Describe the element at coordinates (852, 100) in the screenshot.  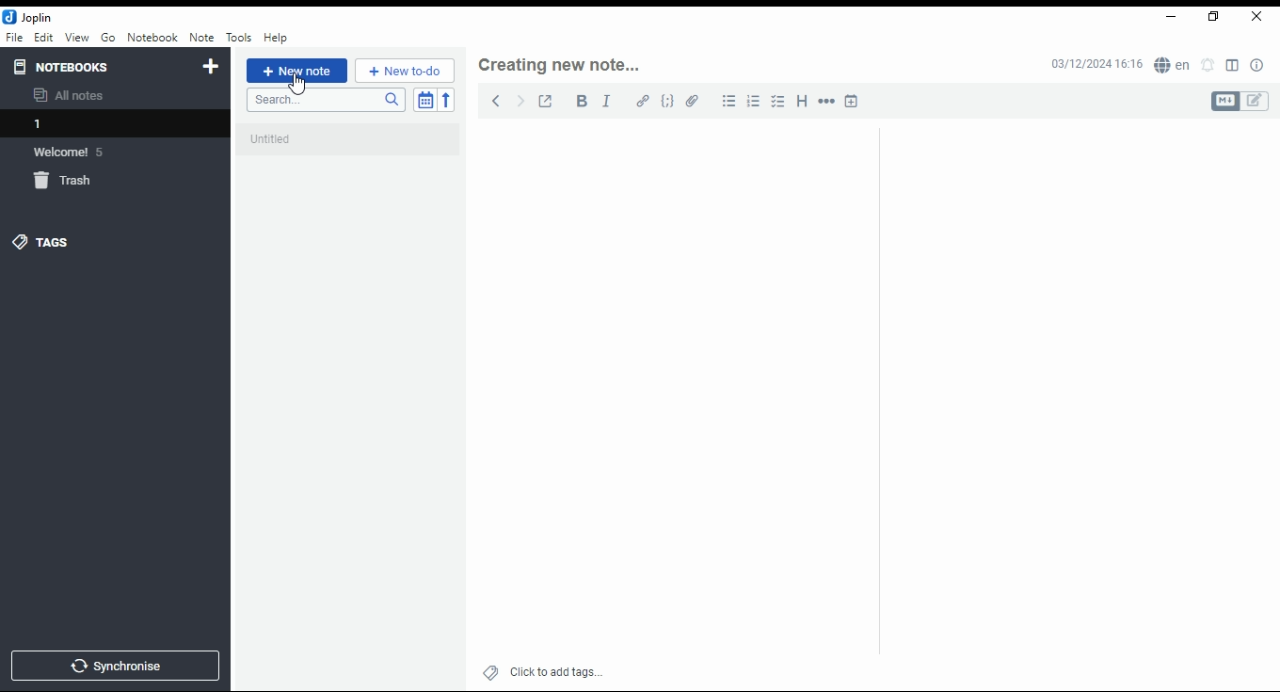
I see `insert time` at that location.